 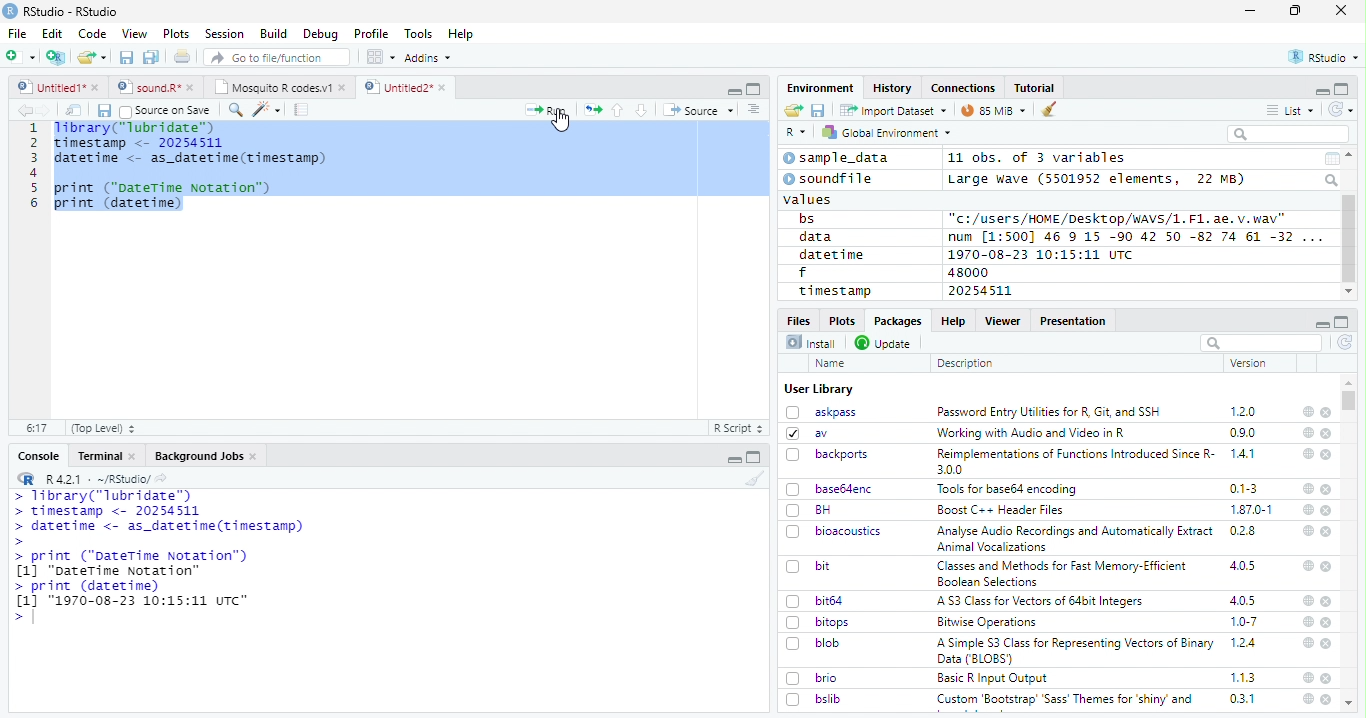 What do you see at coordinates (278, 57) in the screenshot?
I see `Go to file/function` at bounding box center [278, 57].